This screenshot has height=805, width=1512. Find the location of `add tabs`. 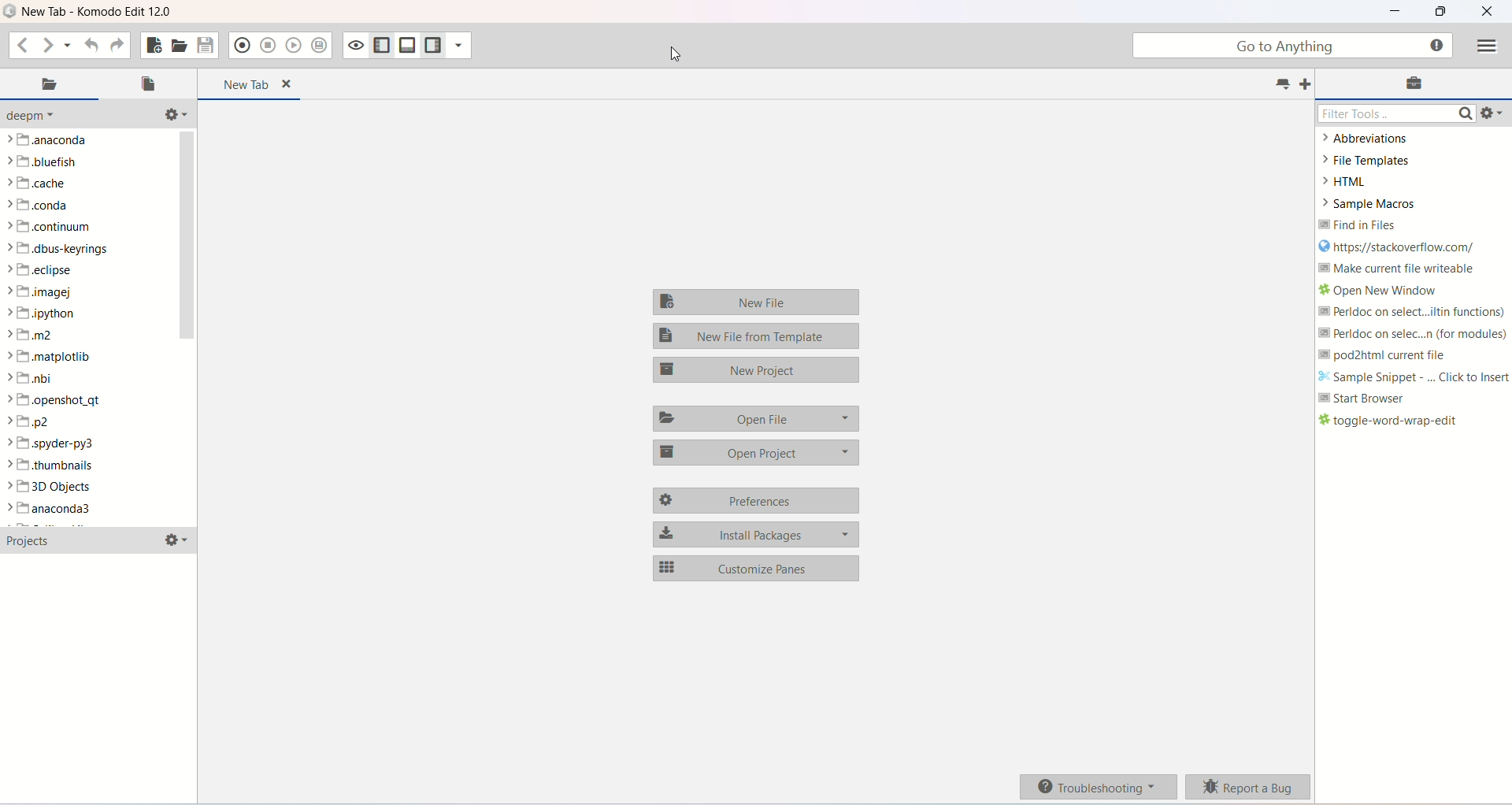

add tabs is located at coordinates (1306, 84).